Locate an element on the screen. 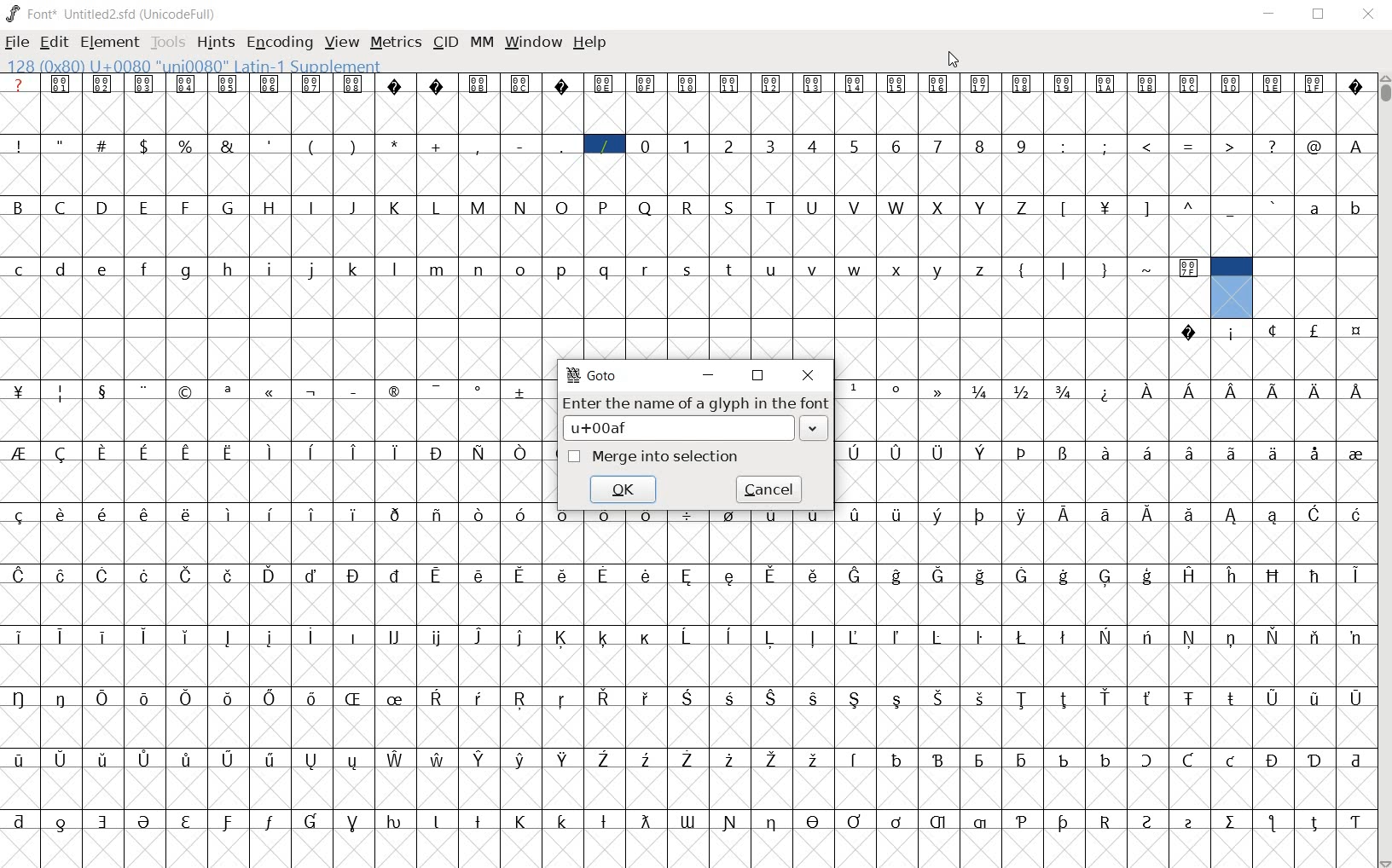 The image size is (1392, 868). Symbol is located at coordinates (107, 514).